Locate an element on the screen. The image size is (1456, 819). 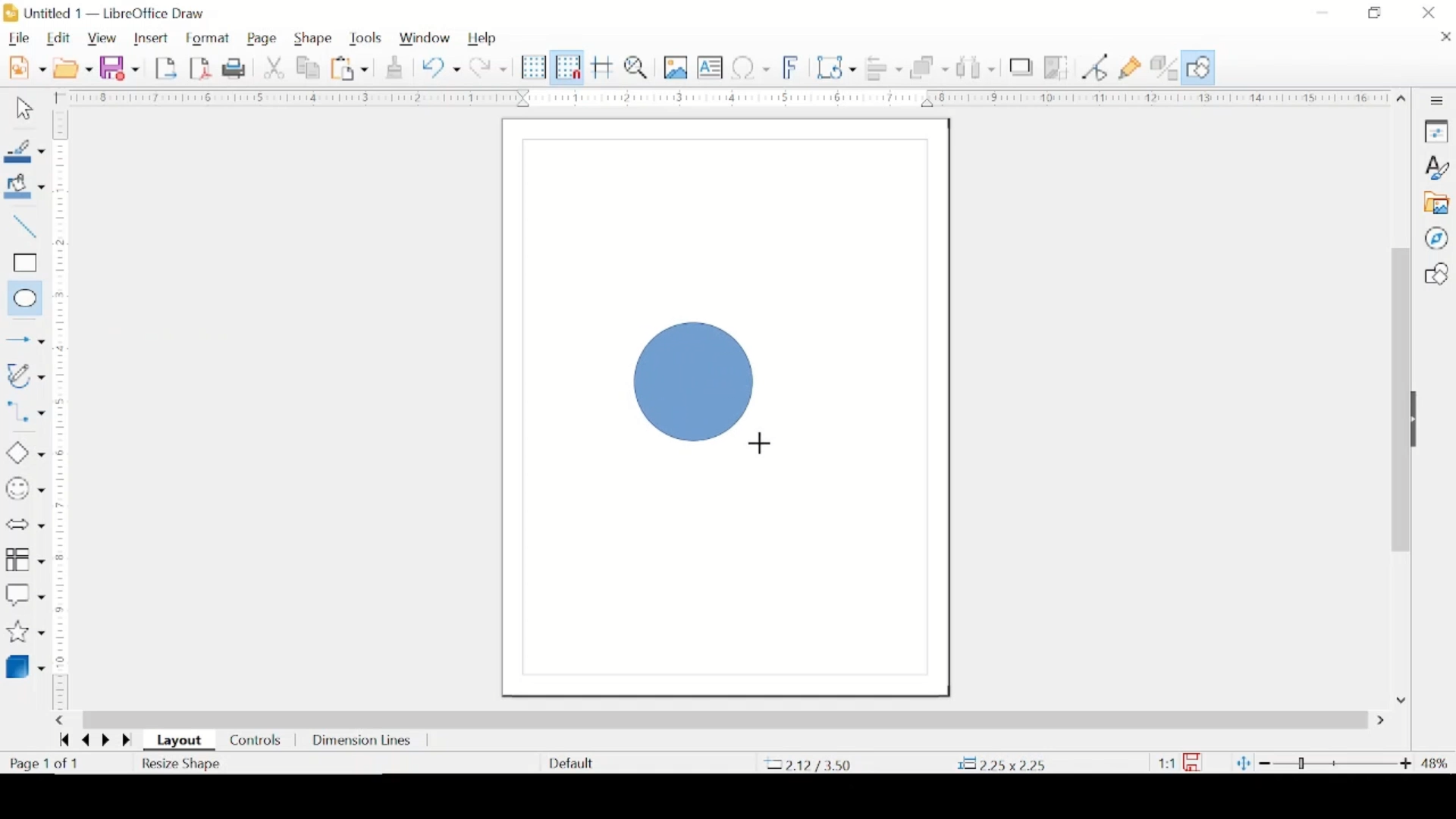
shadow is located at coordinates (1021, 67).